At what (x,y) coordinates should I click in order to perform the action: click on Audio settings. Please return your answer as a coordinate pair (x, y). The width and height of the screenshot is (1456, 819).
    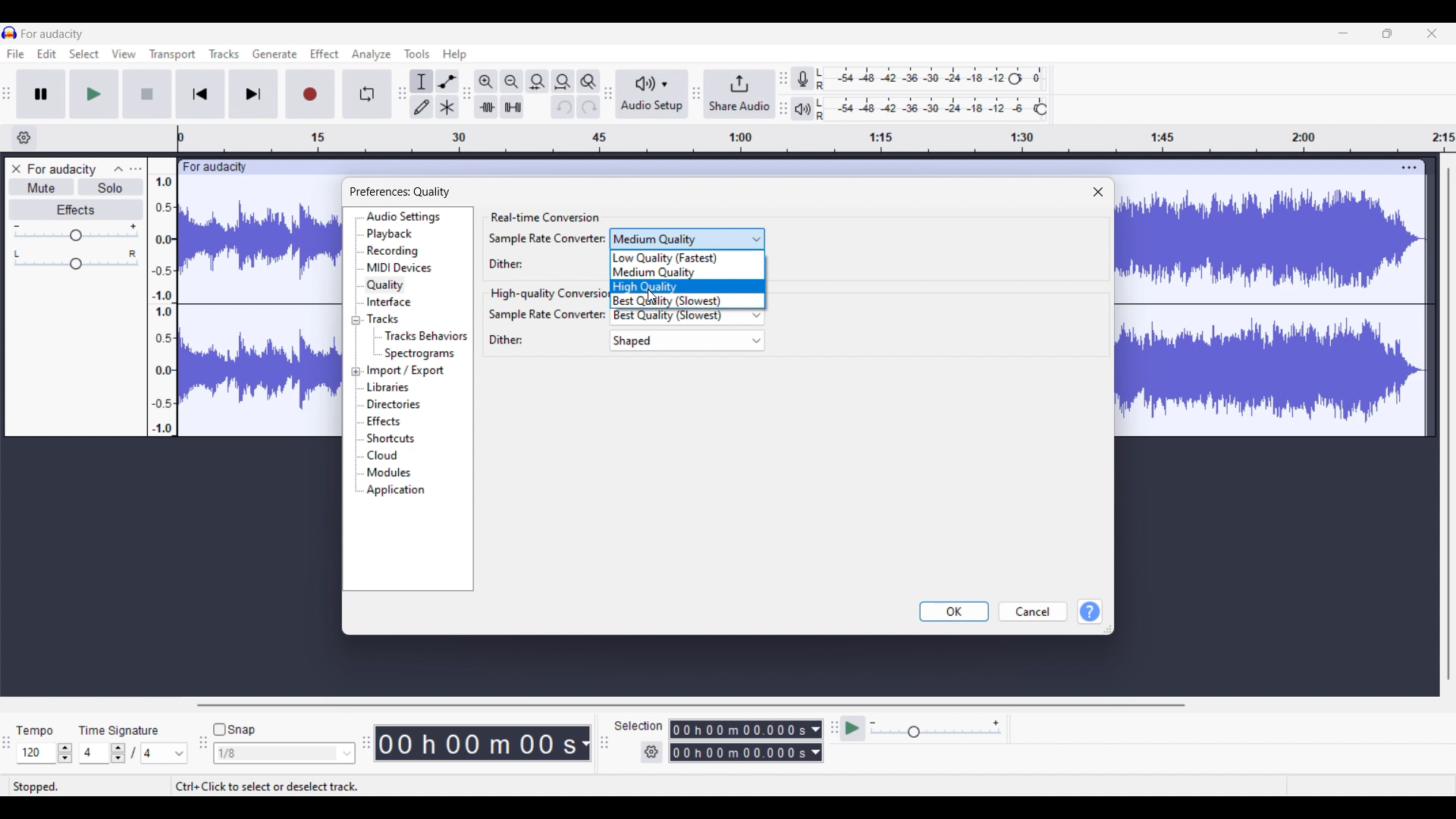
    Looking at the image, I should click on (403, 217).